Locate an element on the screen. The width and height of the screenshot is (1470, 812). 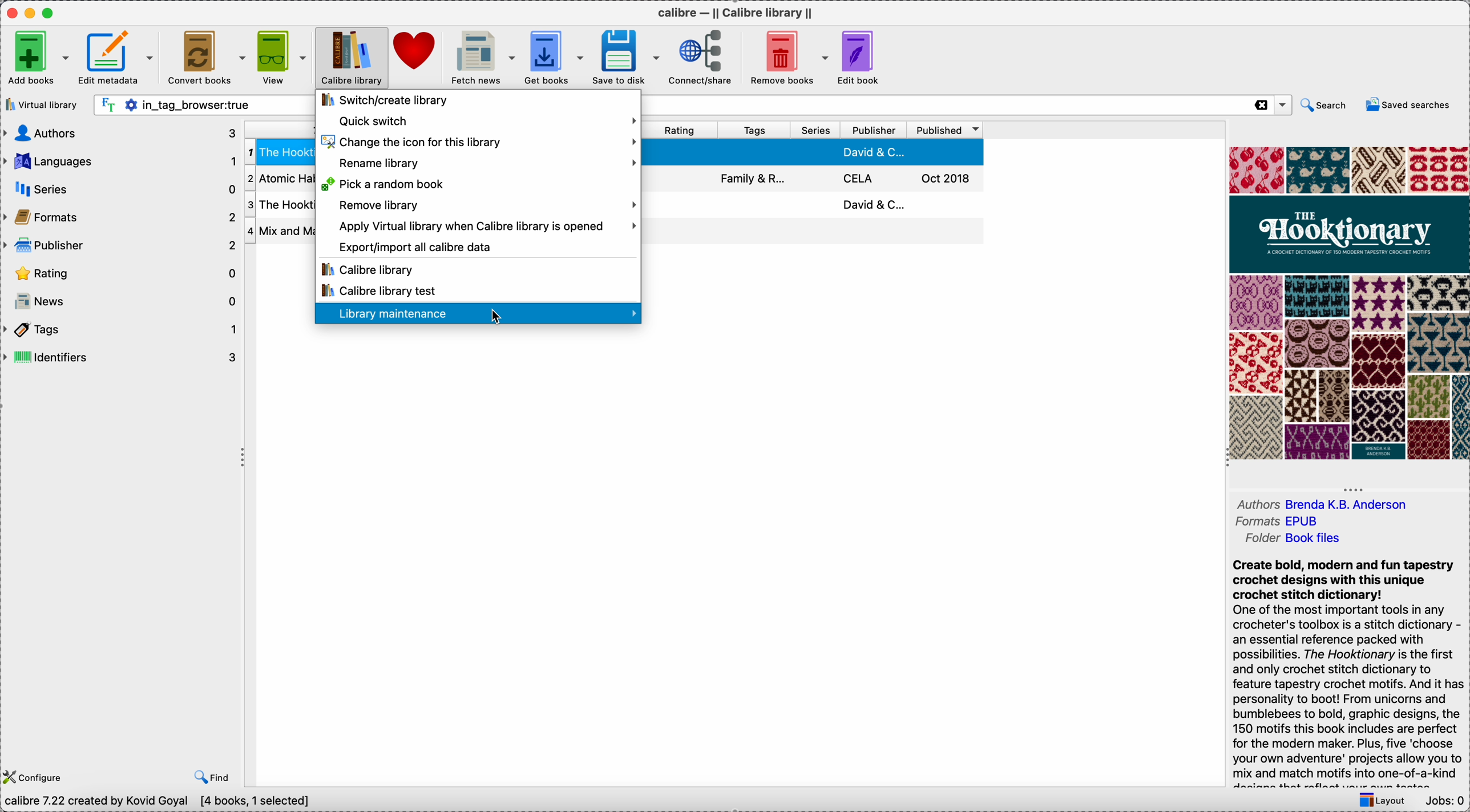
virtual library is located at coordinates (41, 104).